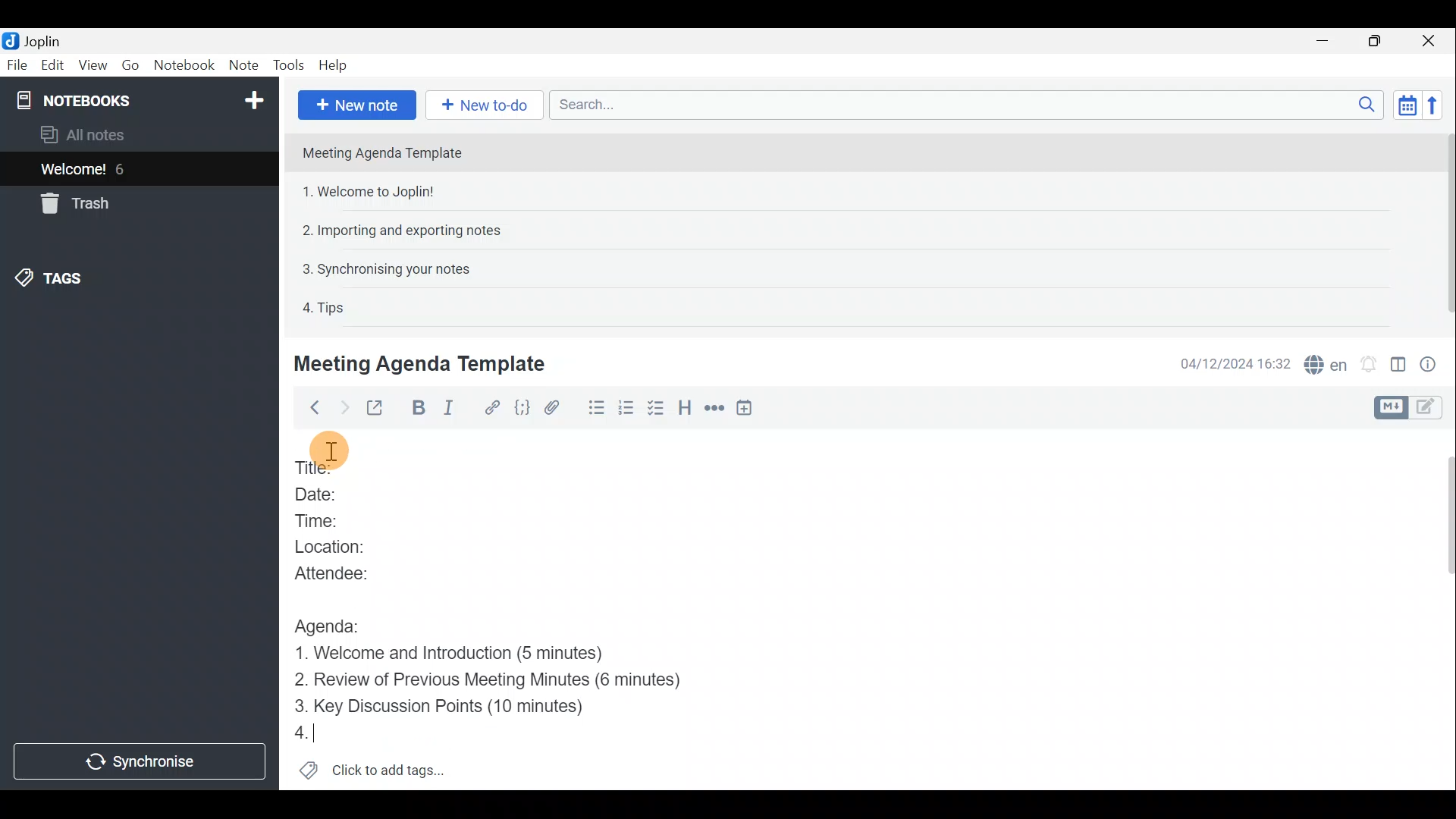  Describe the element at coordinates (184, 64) in the screenshot. I see `Notebook` at that location.